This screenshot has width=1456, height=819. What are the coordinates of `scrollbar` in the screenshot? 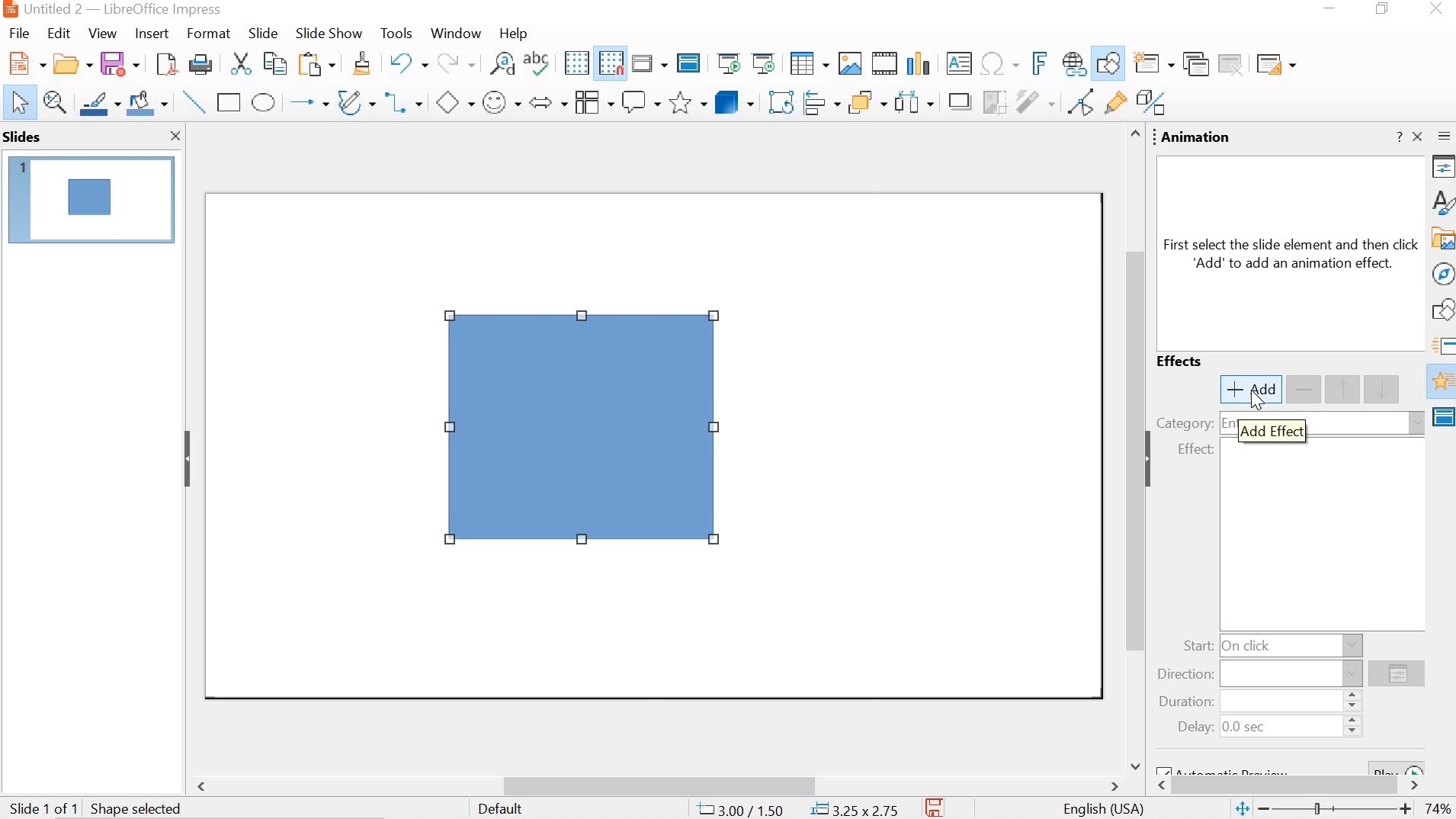 It's located at (656, 784).